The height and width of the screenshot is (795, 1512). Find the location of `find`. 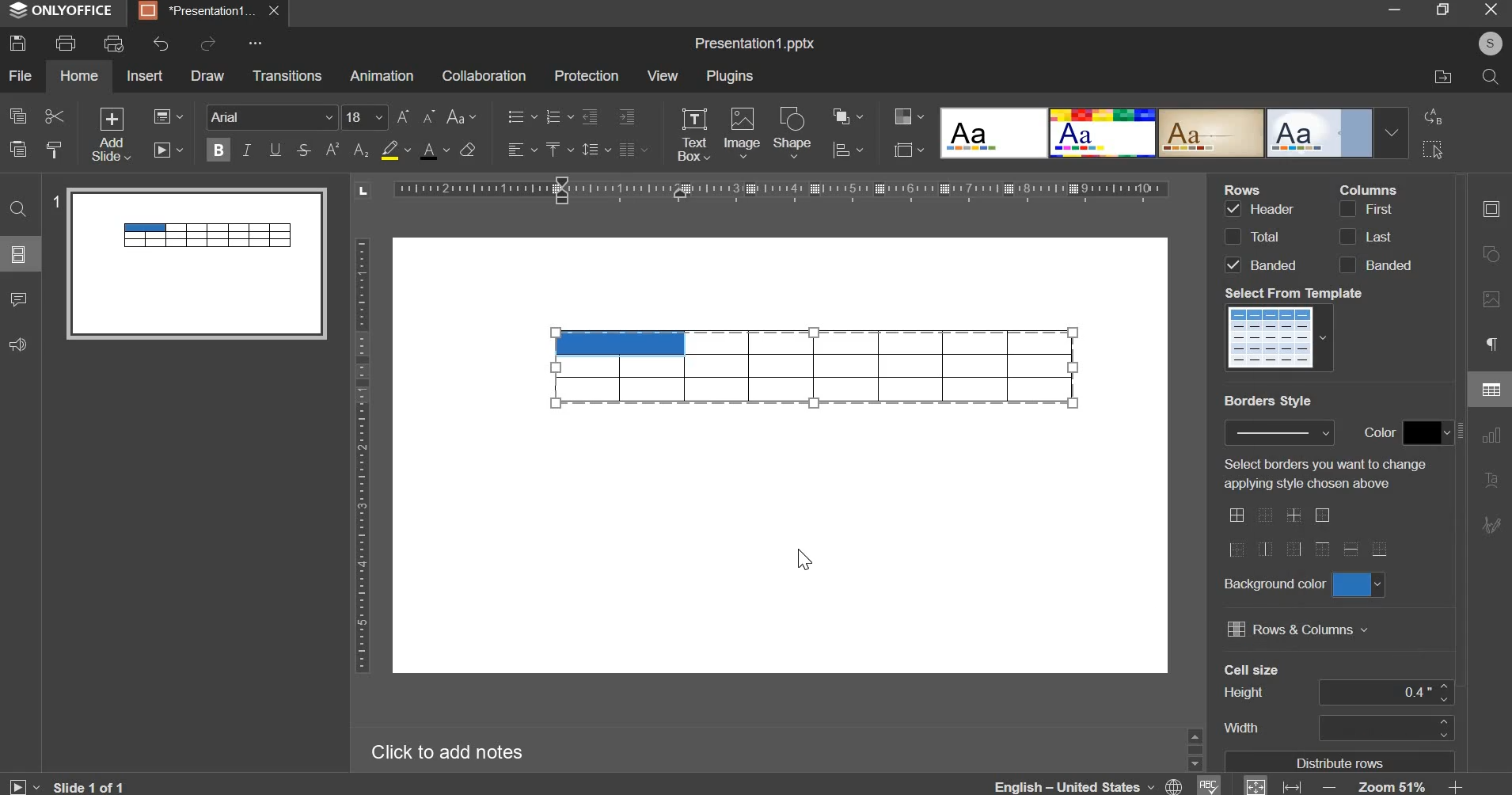

find is located at coordinates (19, 209).